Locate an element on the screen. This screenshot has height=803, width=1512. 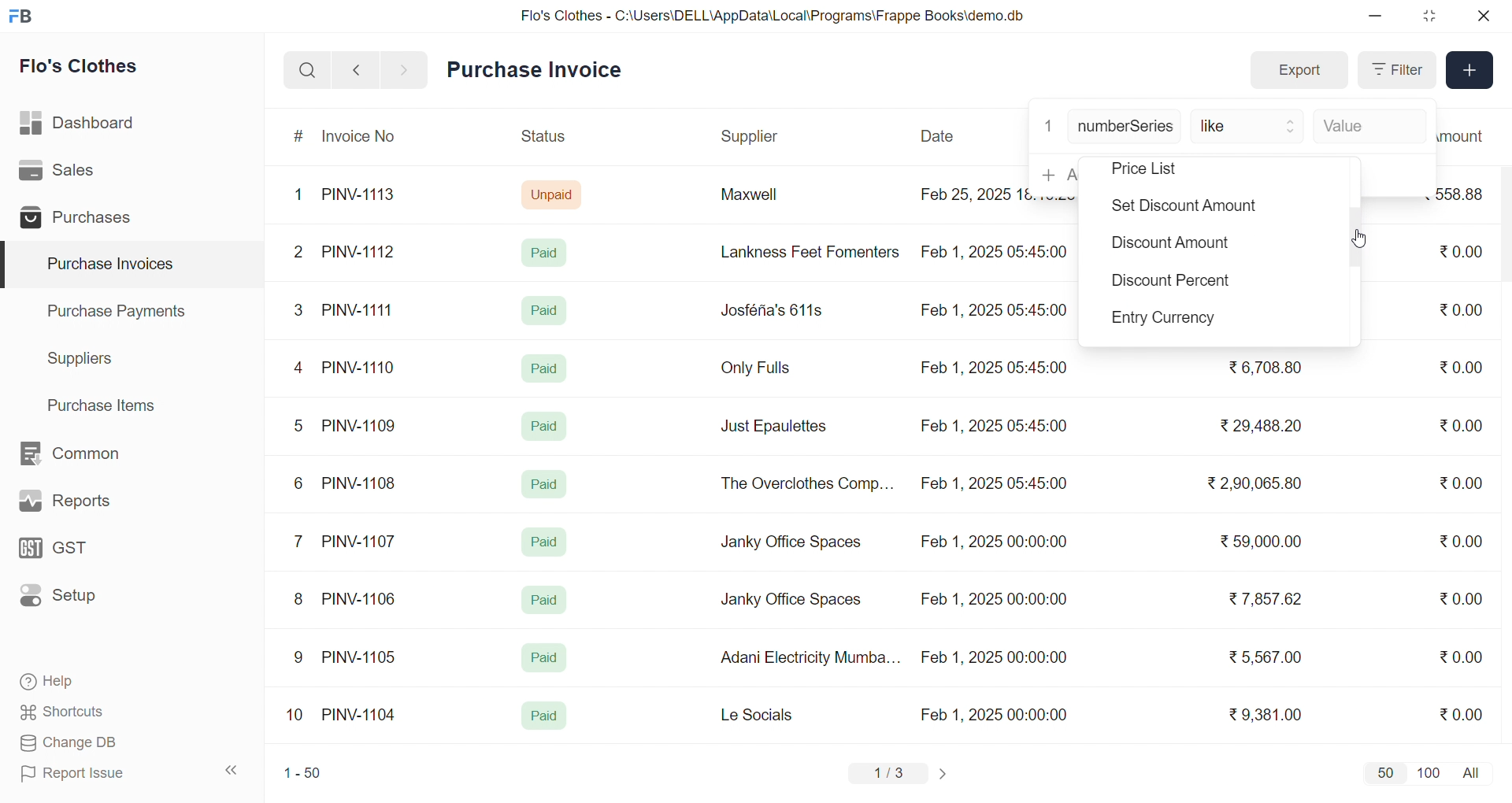
Paid is located at coordinates (547, 424).